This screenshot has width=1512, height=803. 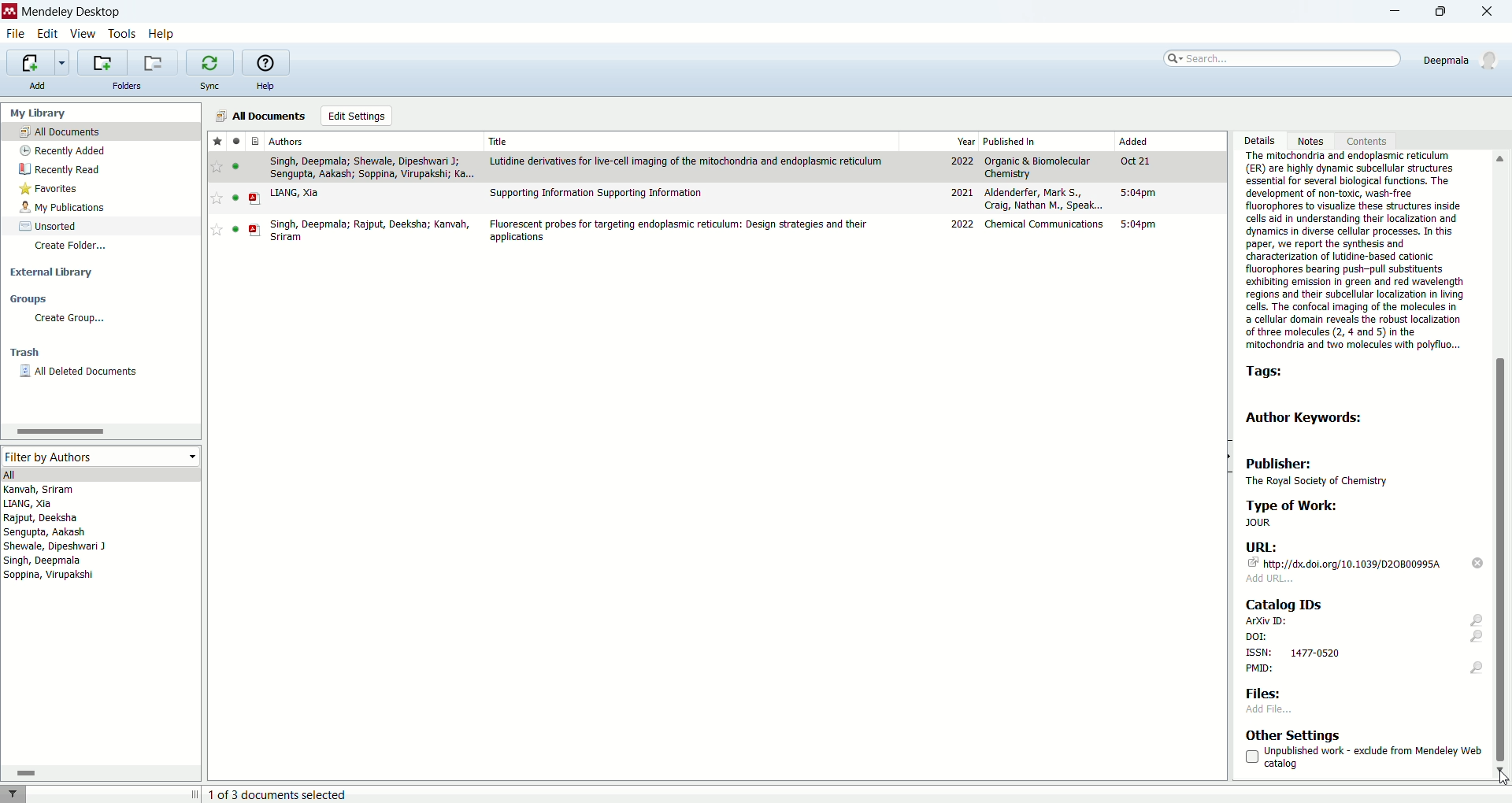 I want to click on synchronize the library with mendeley web, so click(x=210, y=63).